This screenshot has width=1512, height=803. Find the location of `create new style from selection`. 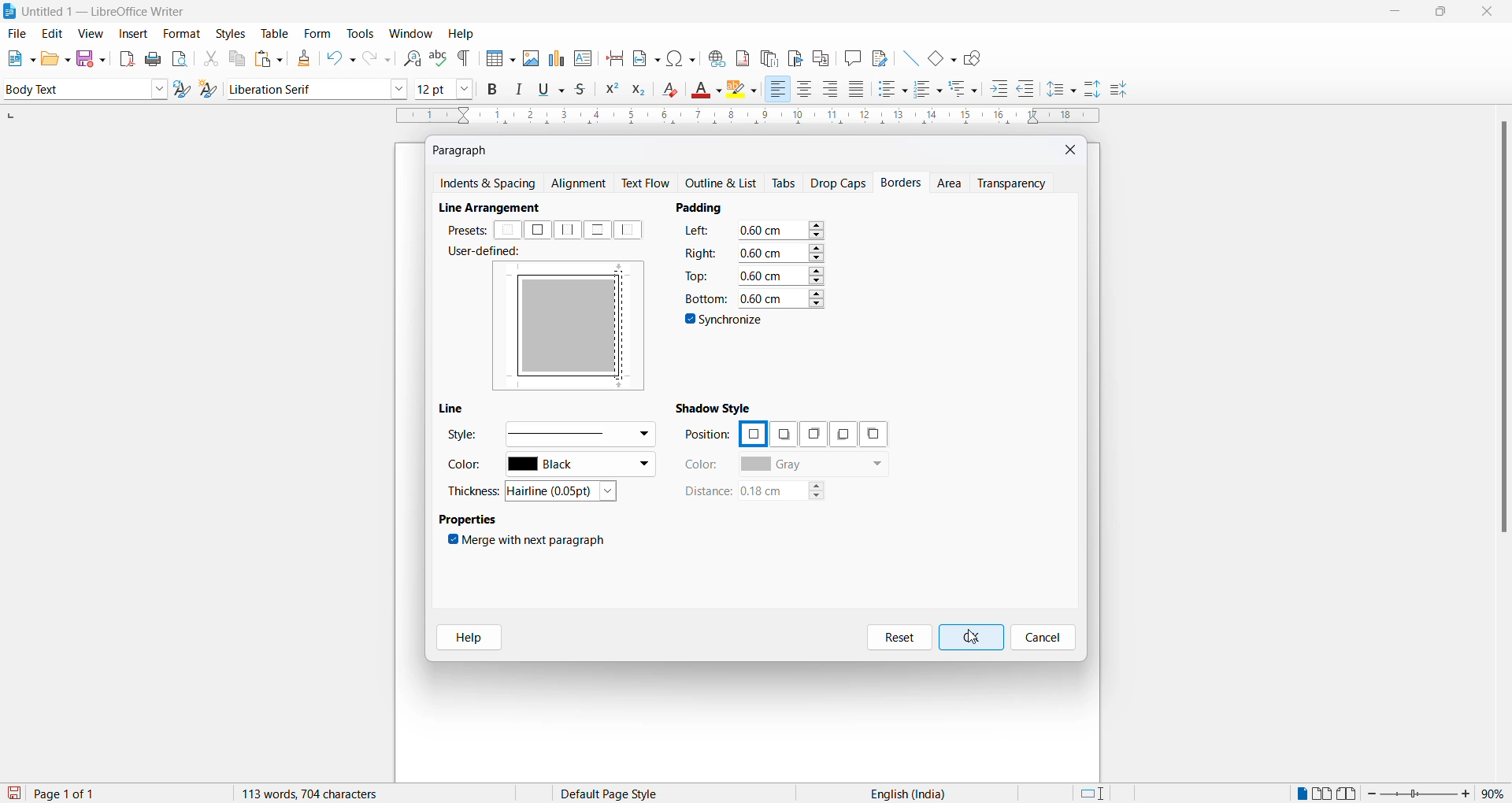

create new style from selection is located at coordinates (212, 91).